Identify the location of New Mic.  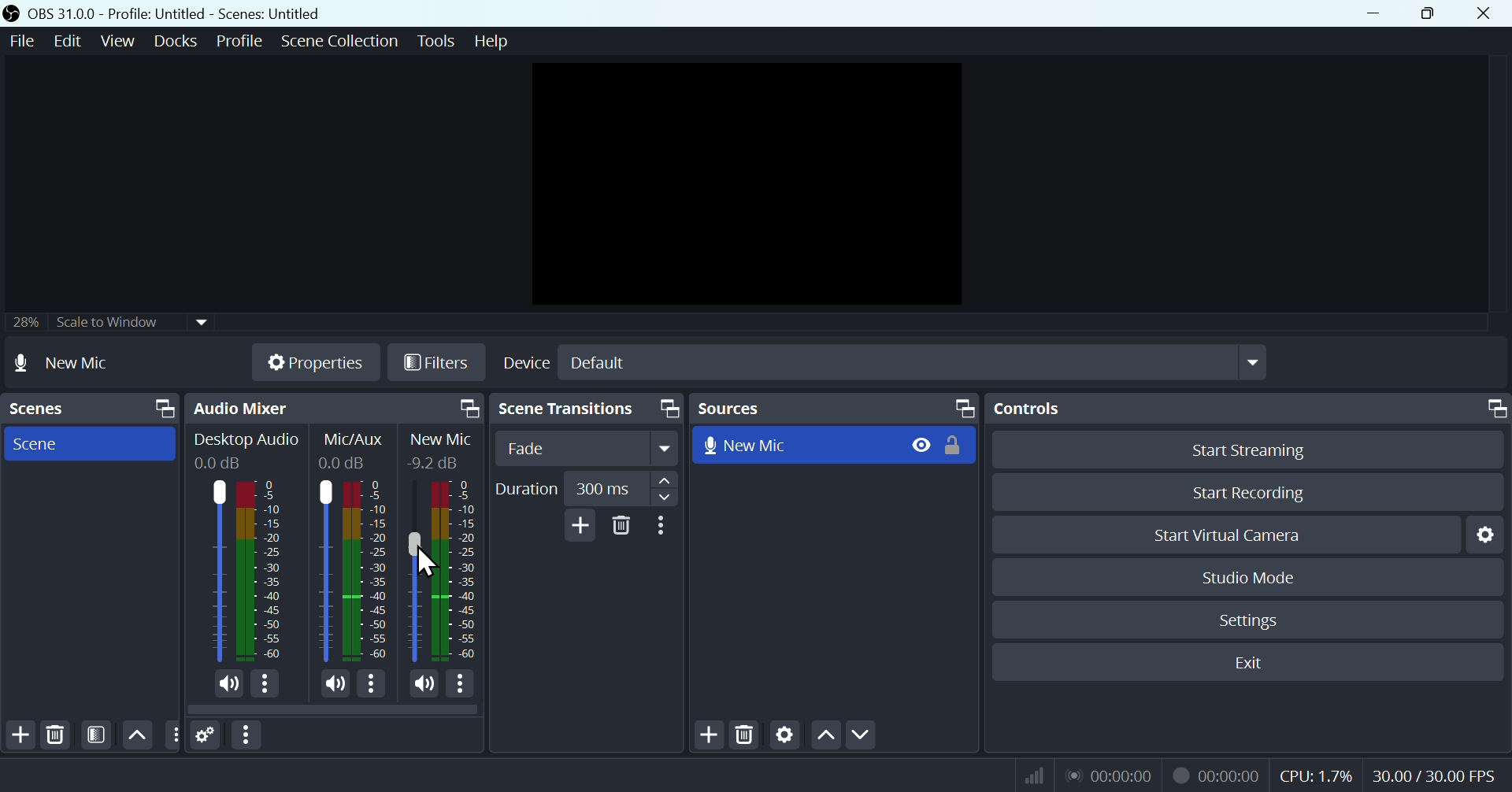
(795, 443).